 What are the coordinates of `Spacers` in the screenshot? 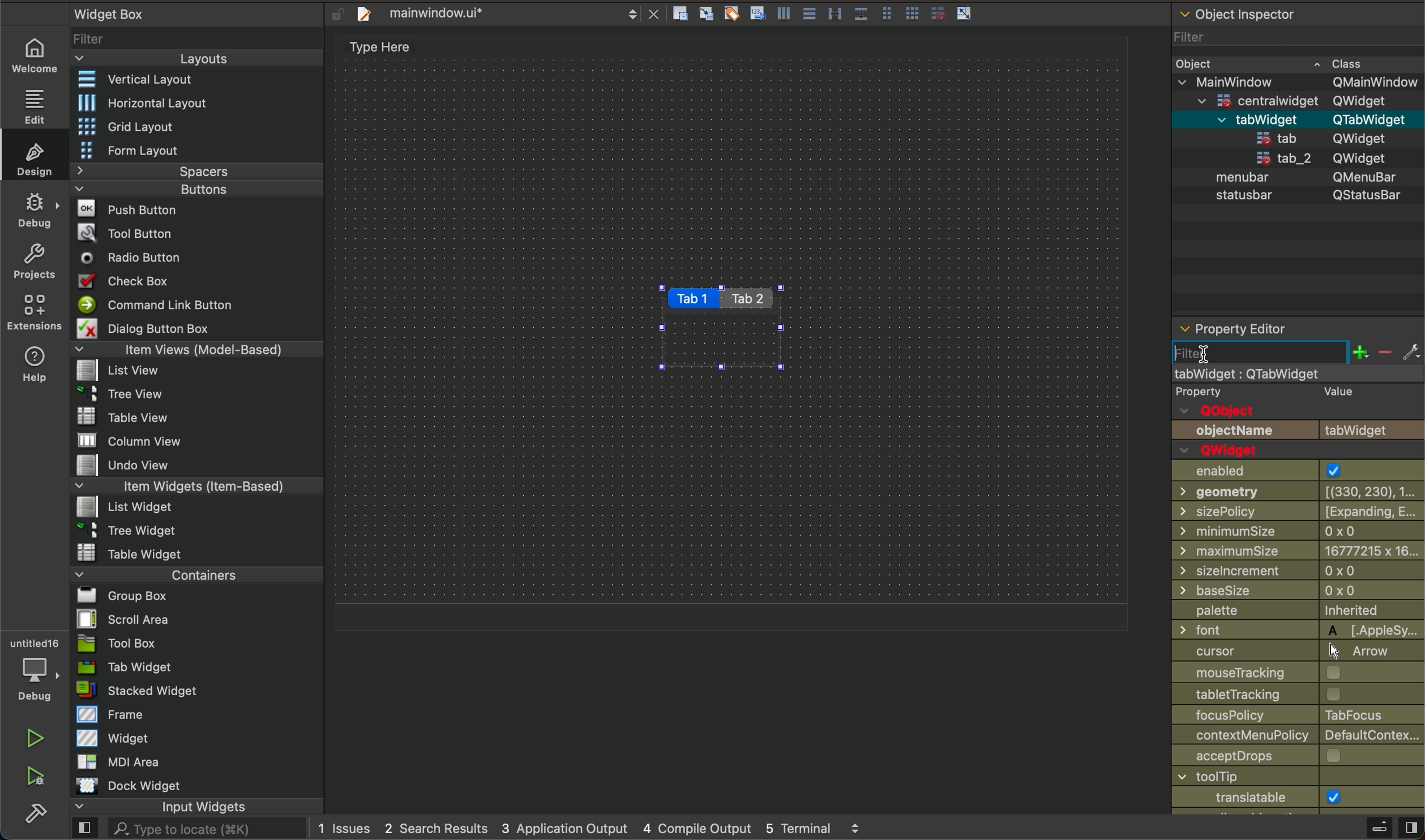 It's located at (198, 172).